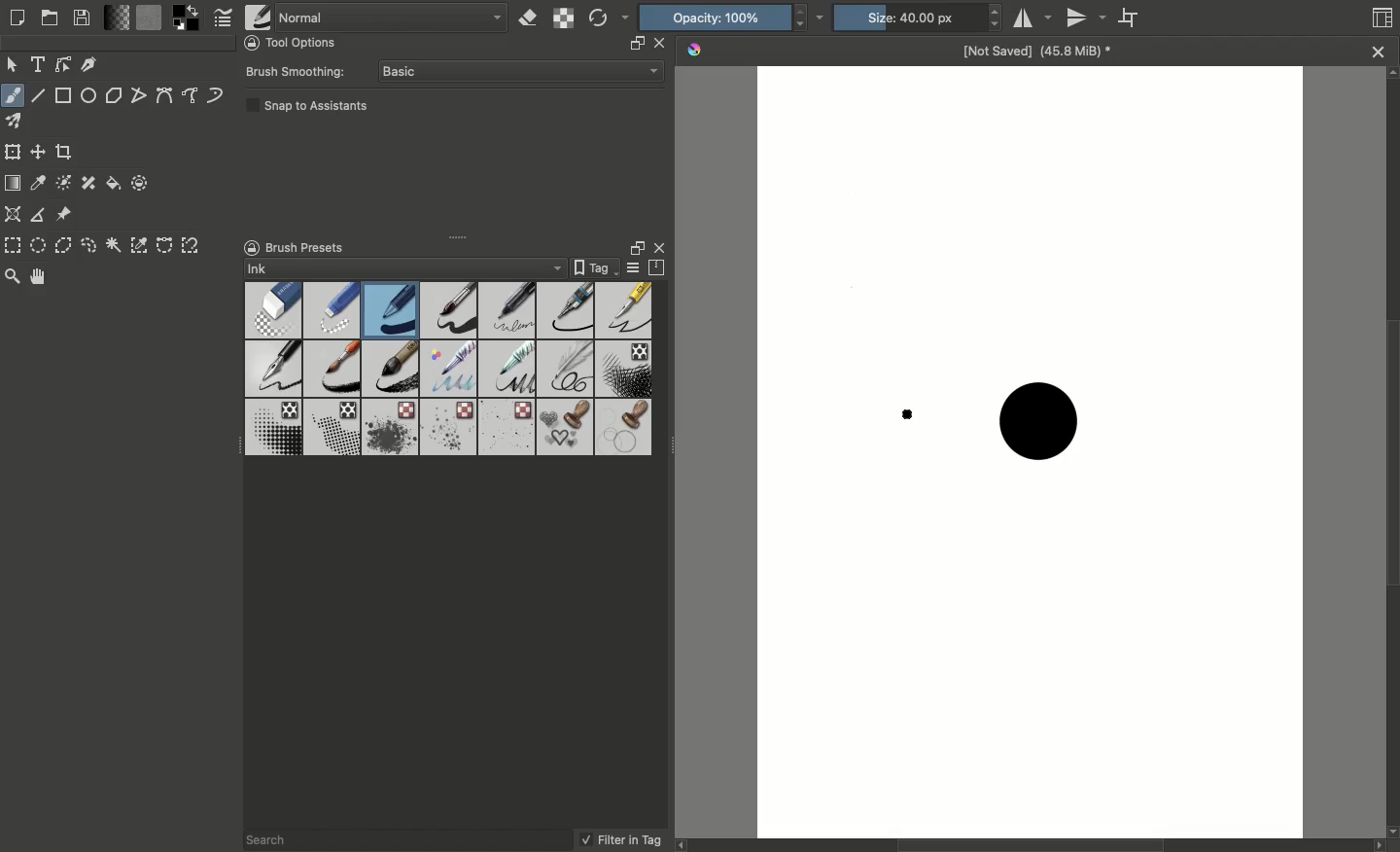 The image size is (1400, 852). I want to click on Vertical mirror, so click(1089, 20).